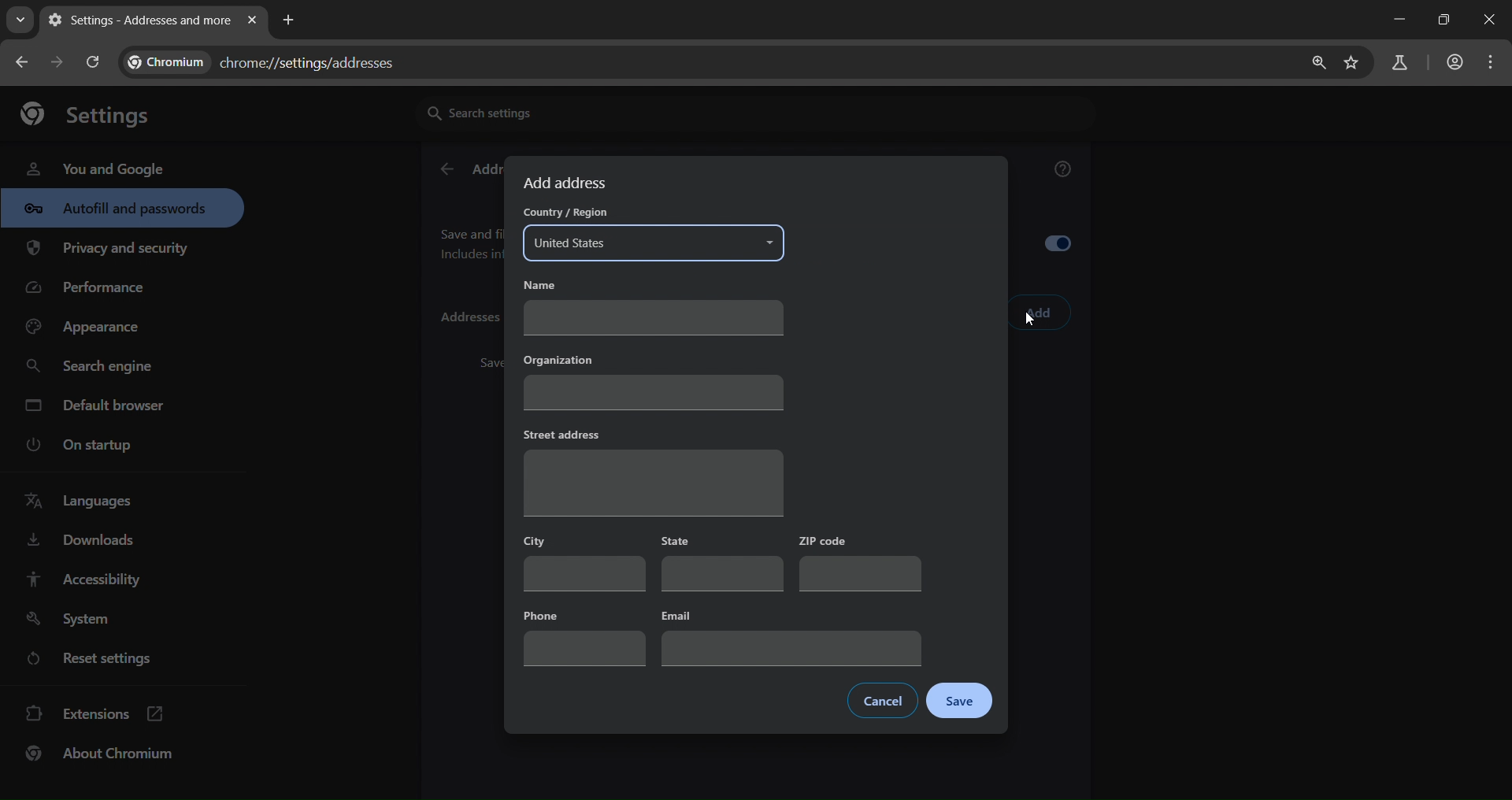  Describe the element at coordinates (90, 446) in the screenshot. I see `on startup` at that location.